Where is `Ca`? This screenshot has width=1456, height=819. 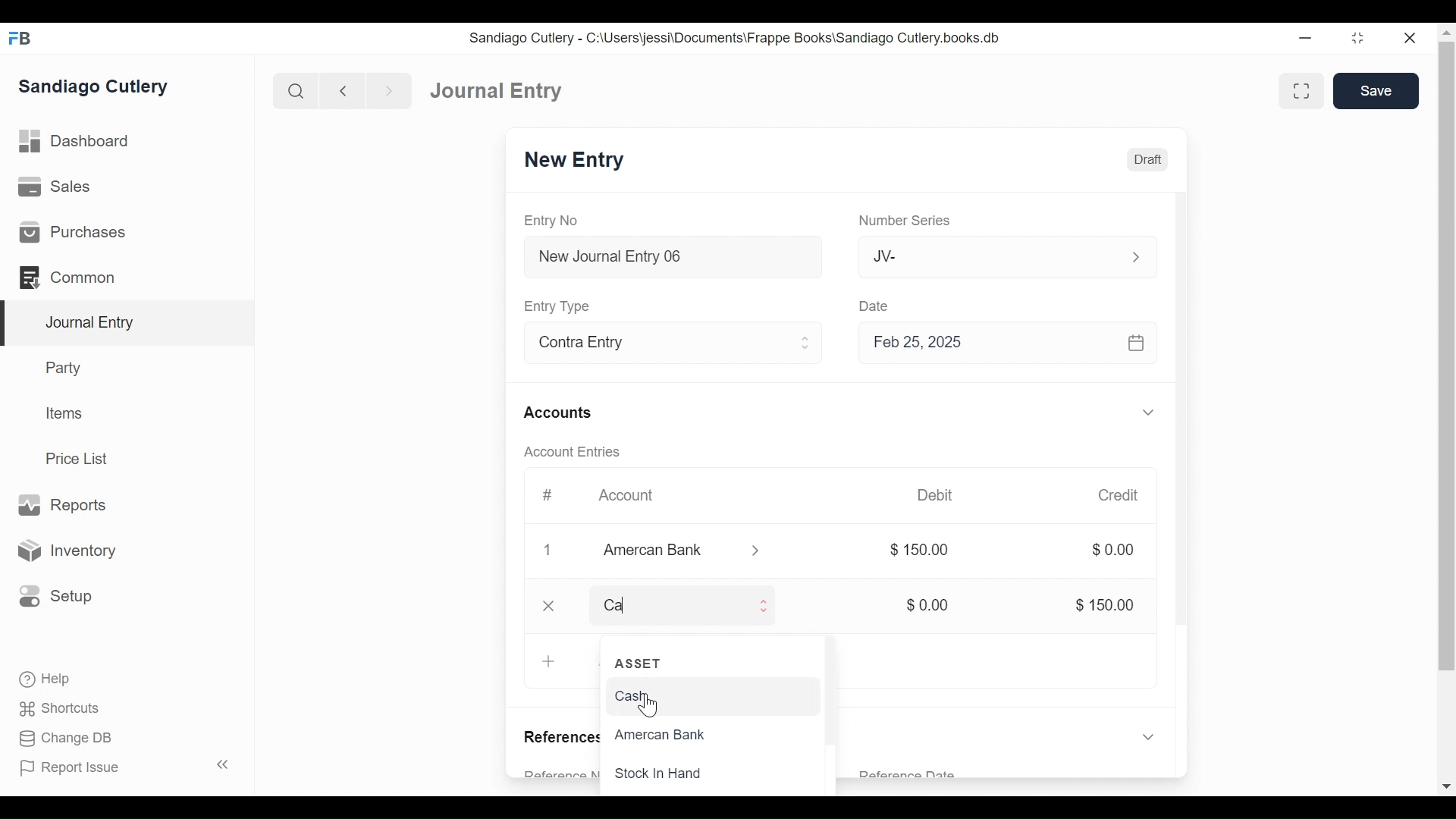
Ca is located at coordinates (670, 609).